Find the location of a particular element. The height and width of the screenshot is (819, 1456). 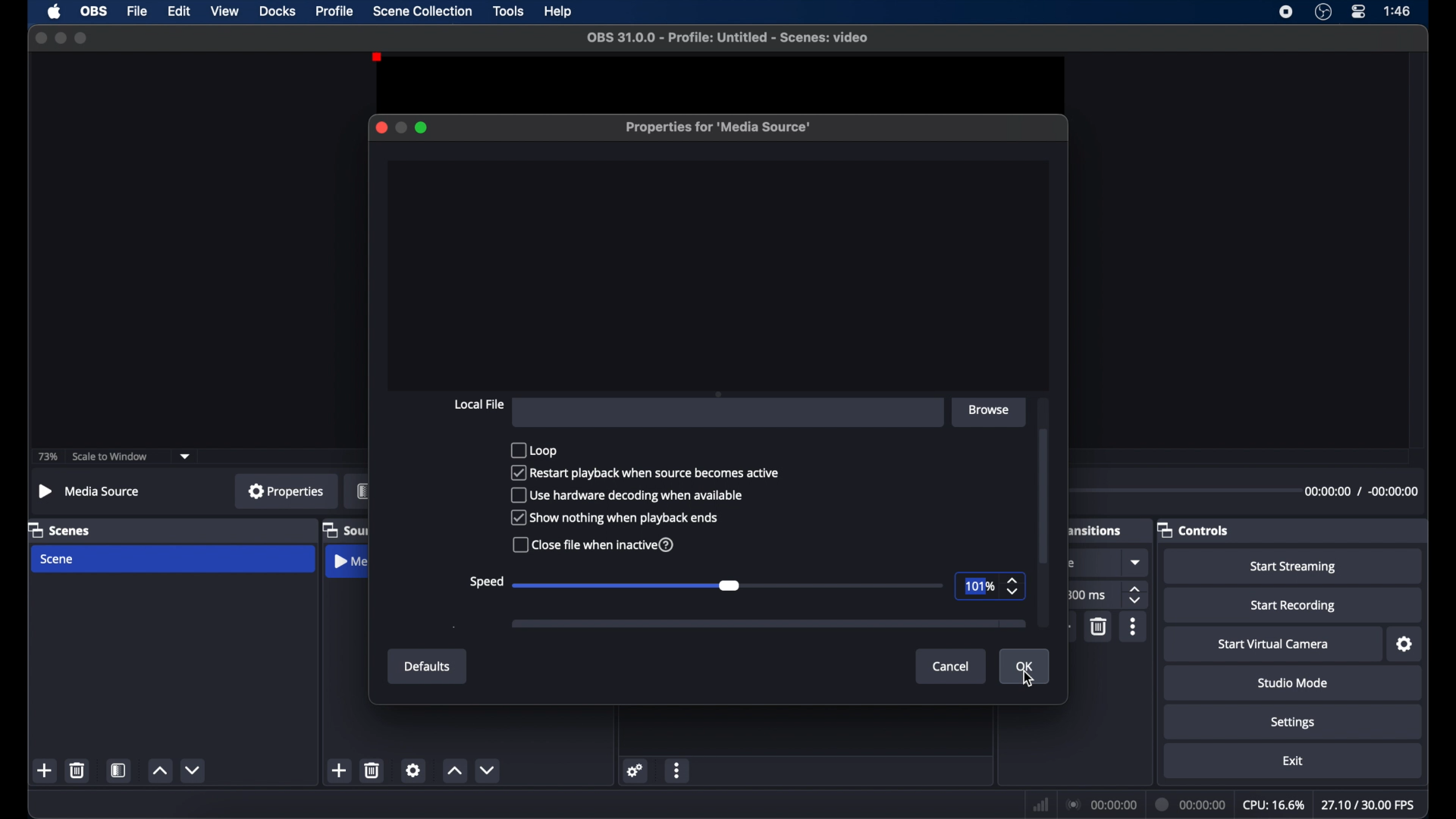

controls is located at coordinates (1192, 531).